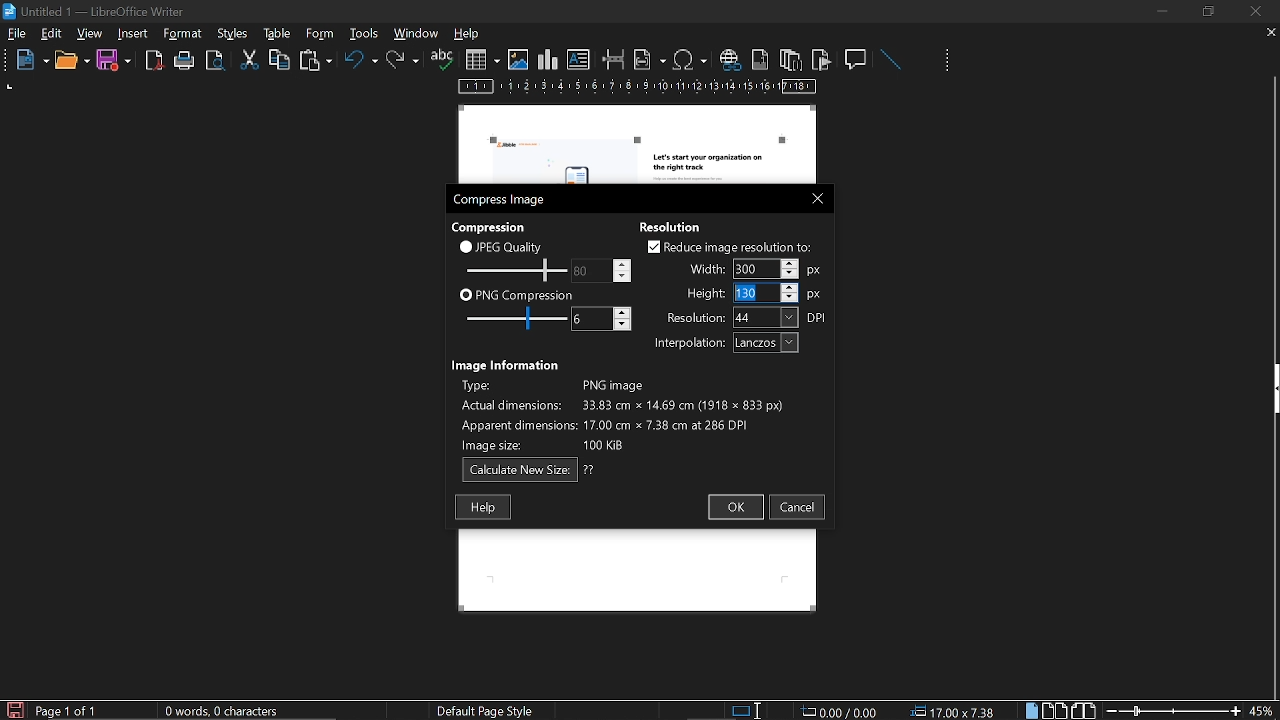 This screenshot has height=720, width=1280. I want to click on multiple page view, so click(1055, 711).